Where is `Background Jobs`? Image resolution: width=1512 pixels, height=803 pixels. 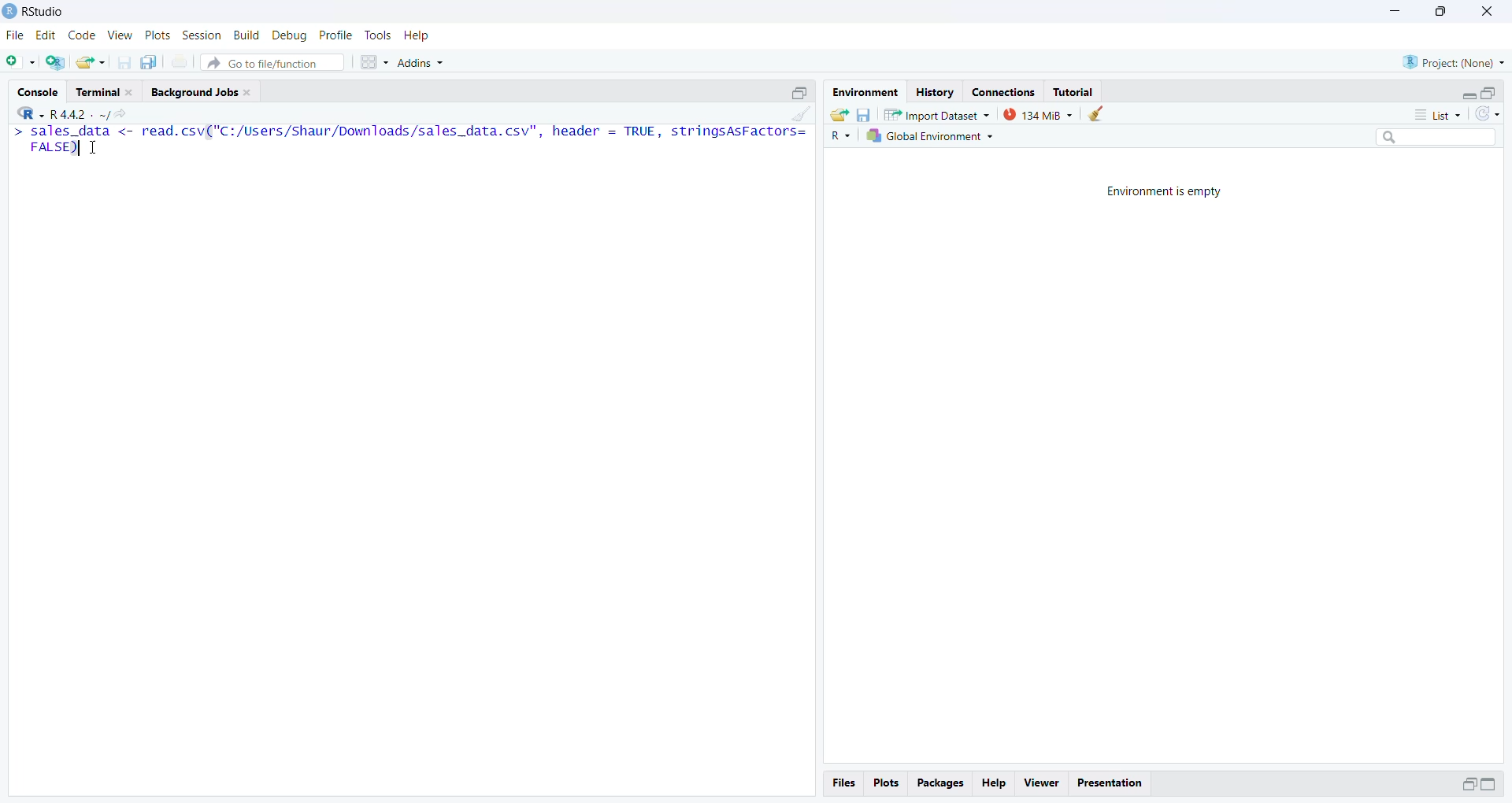
Background Jobs is located at coordinates (202, 92).